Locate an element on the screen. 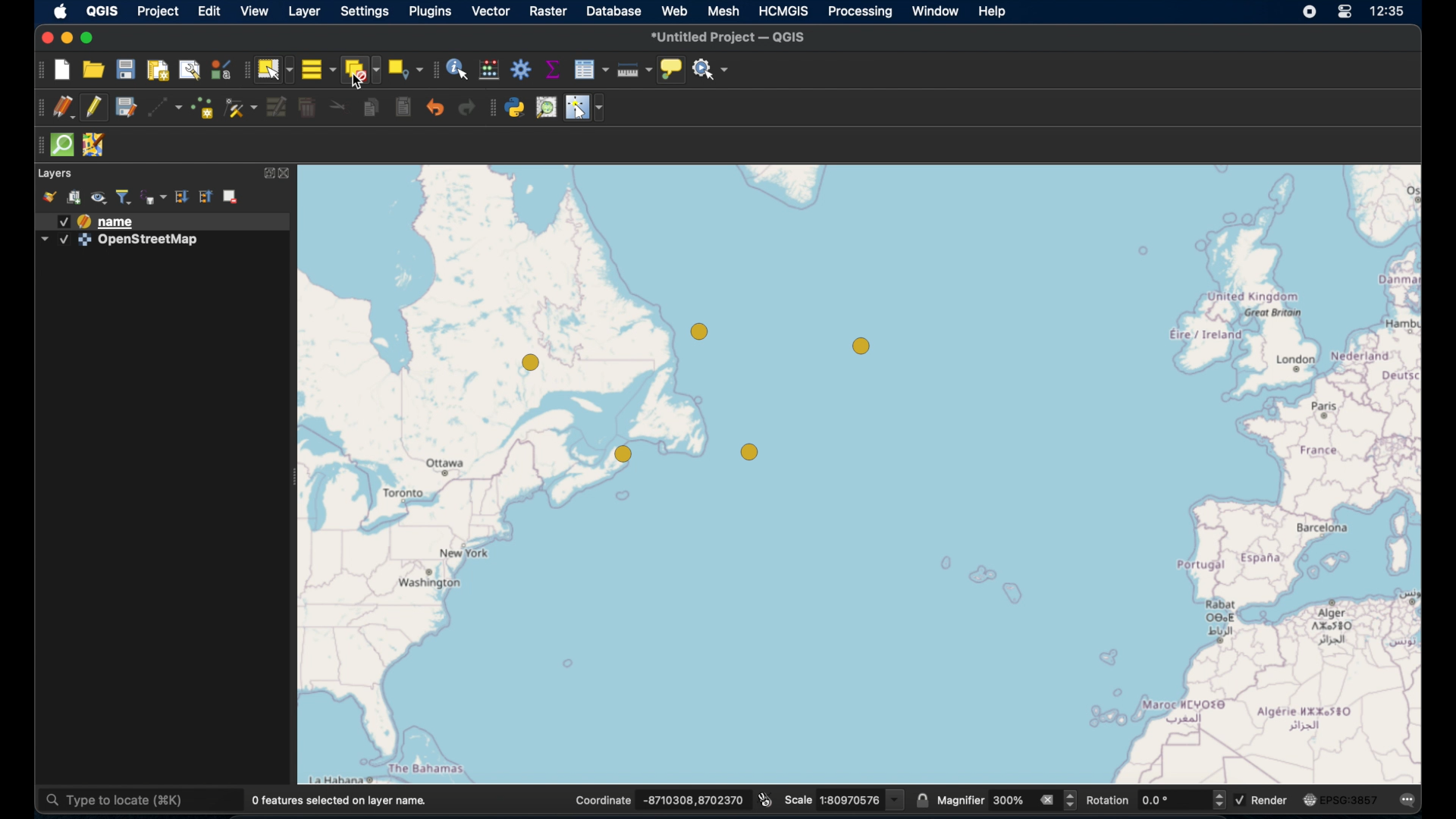 The width and height of the screenshot is (1456, 819). raster is located at coordinates (551, 12).